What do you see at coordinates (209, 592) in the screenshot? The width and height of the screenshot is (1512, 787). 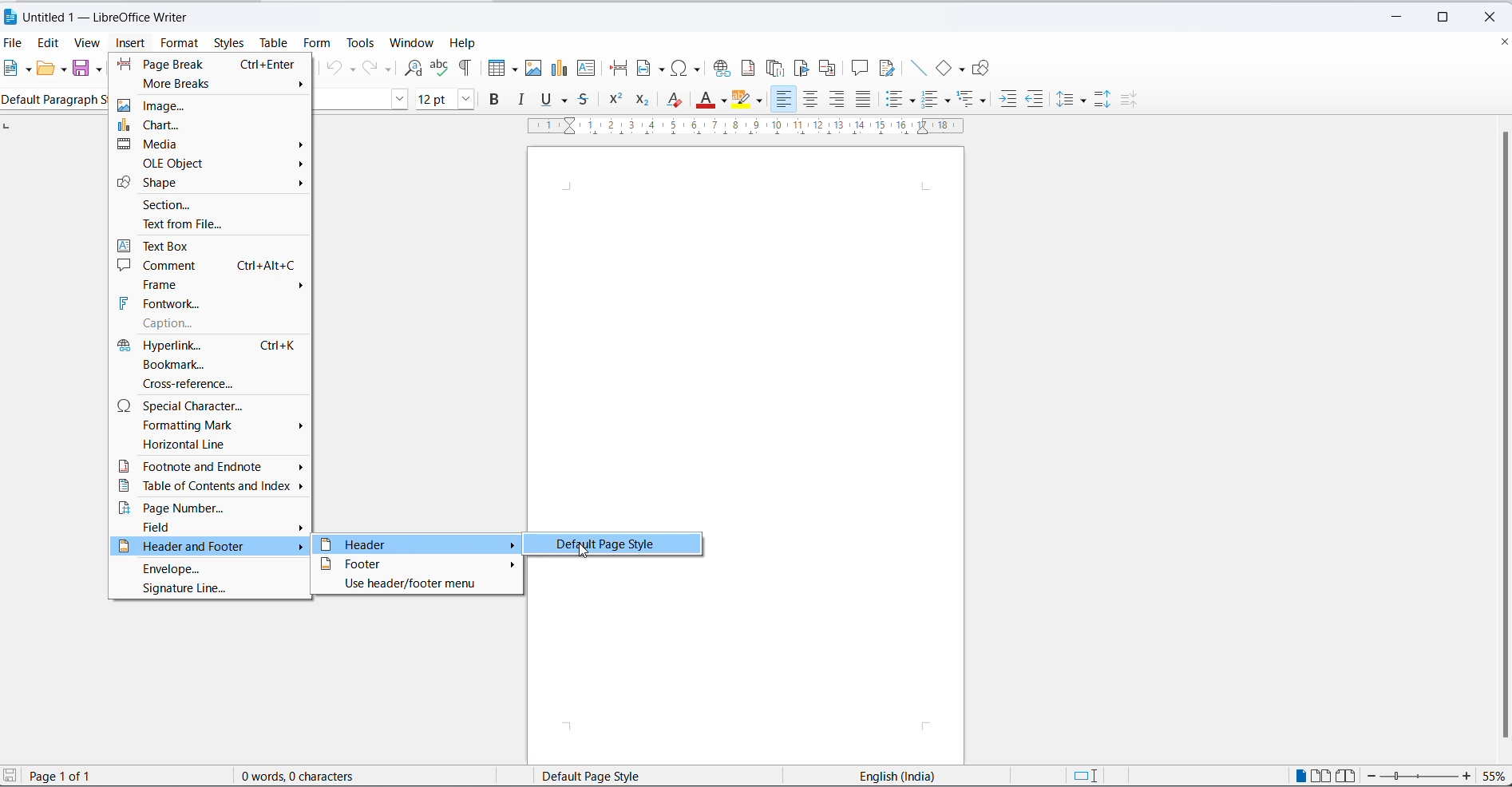 I see `signature line` at bounding box center [209, 592].